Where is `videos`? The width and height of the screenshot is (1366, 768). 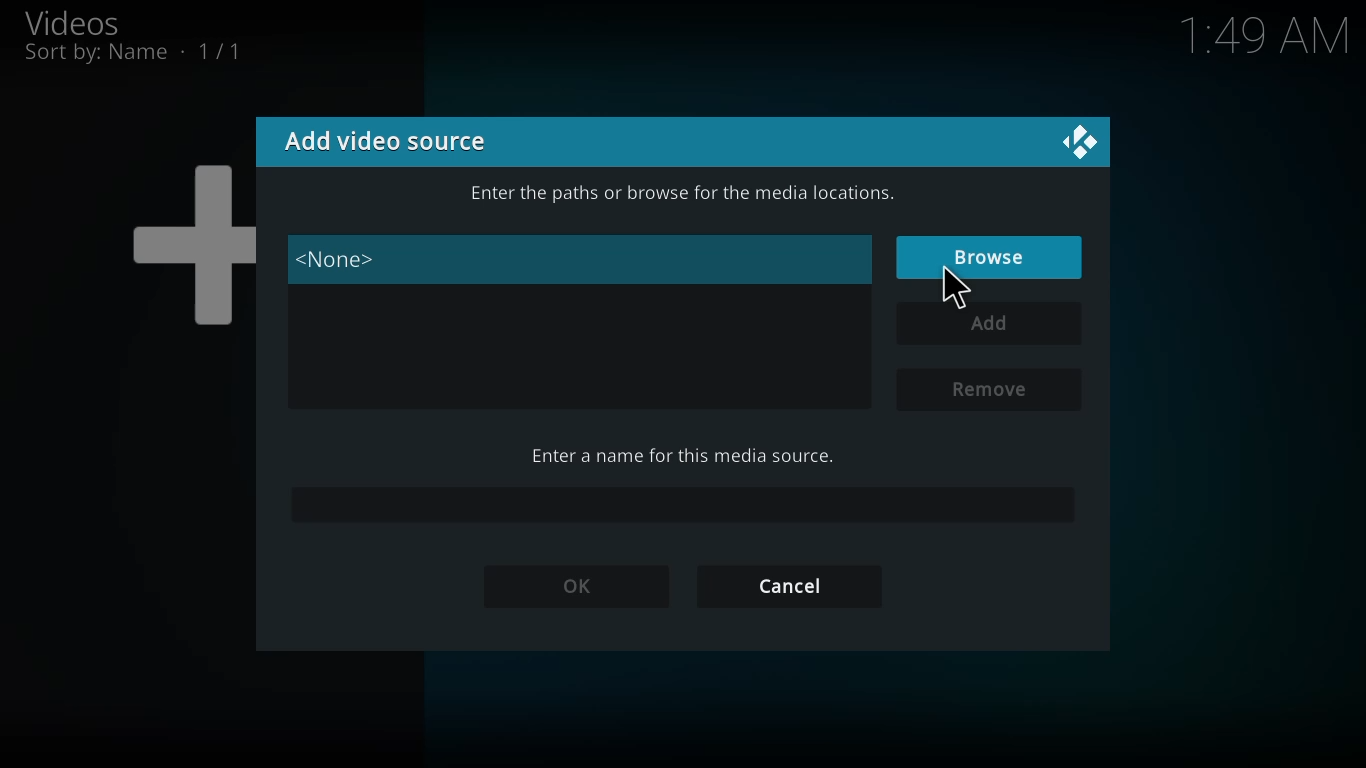 videos is located at coordinates (71, 21).